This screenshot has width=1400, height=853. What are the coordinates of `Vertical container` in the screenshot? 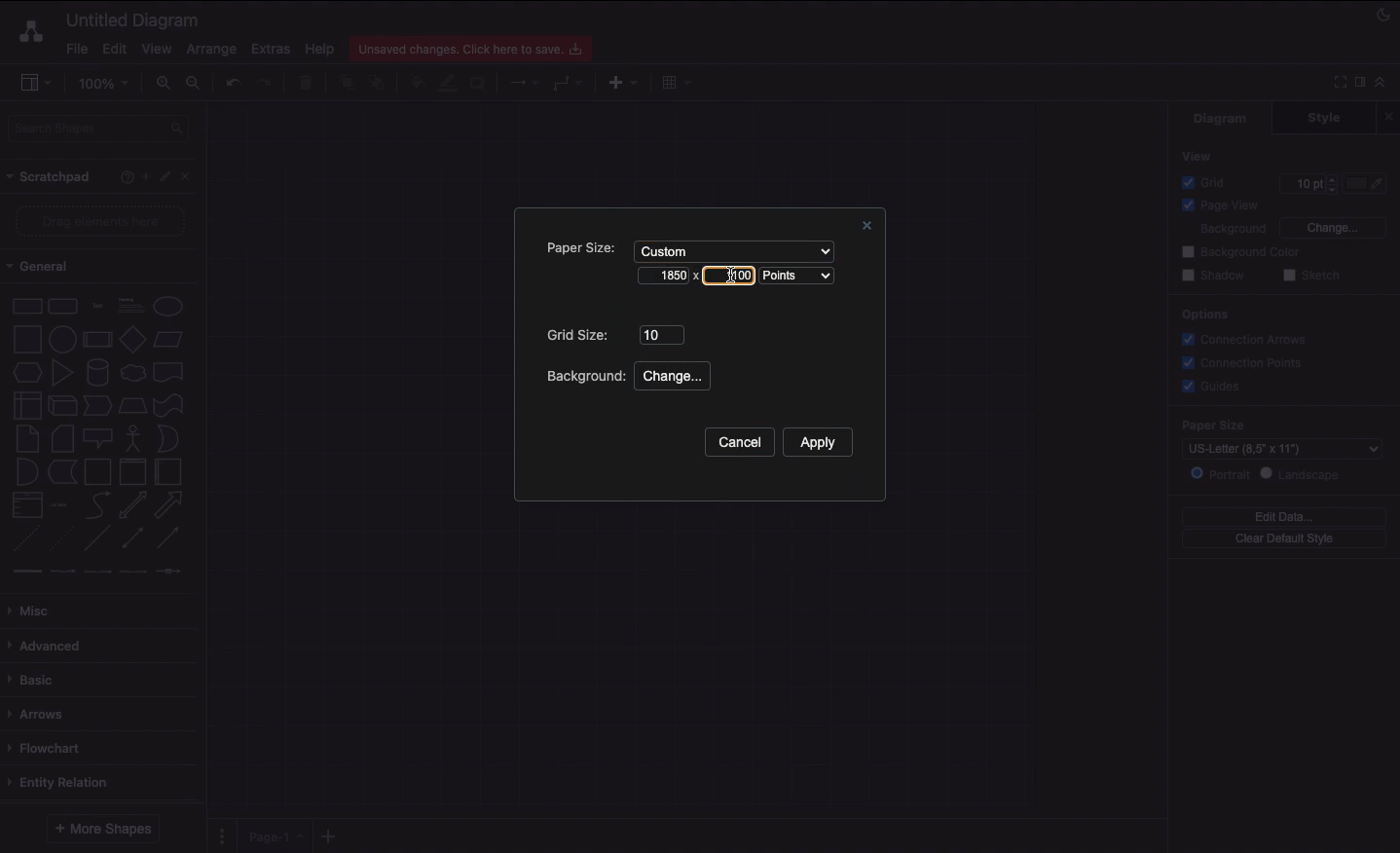 It's located at (133, 470).